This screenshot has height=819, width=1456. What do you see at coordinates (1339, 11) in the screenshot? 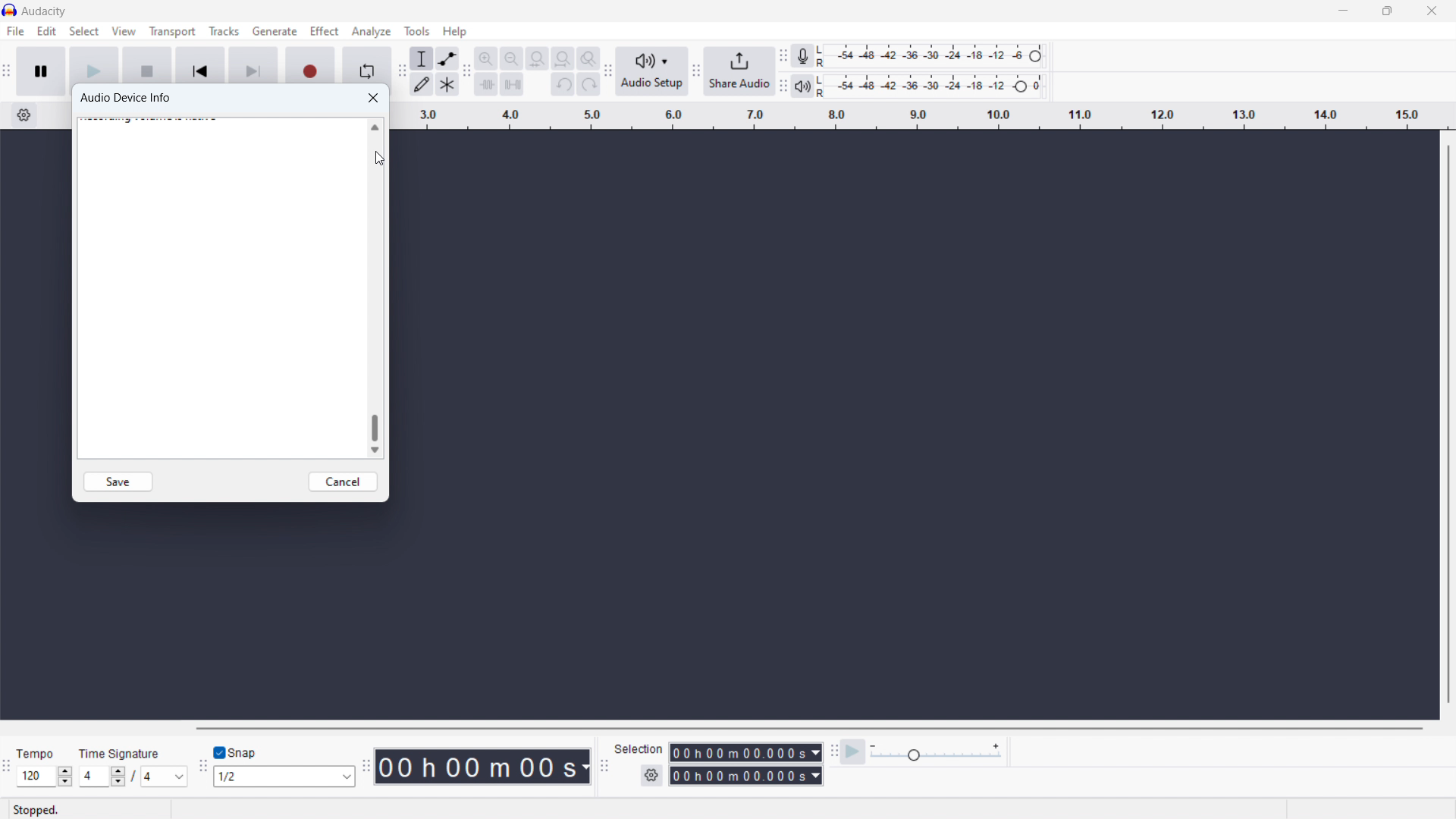
I see `minimize` at bounding box center [1339, 11].